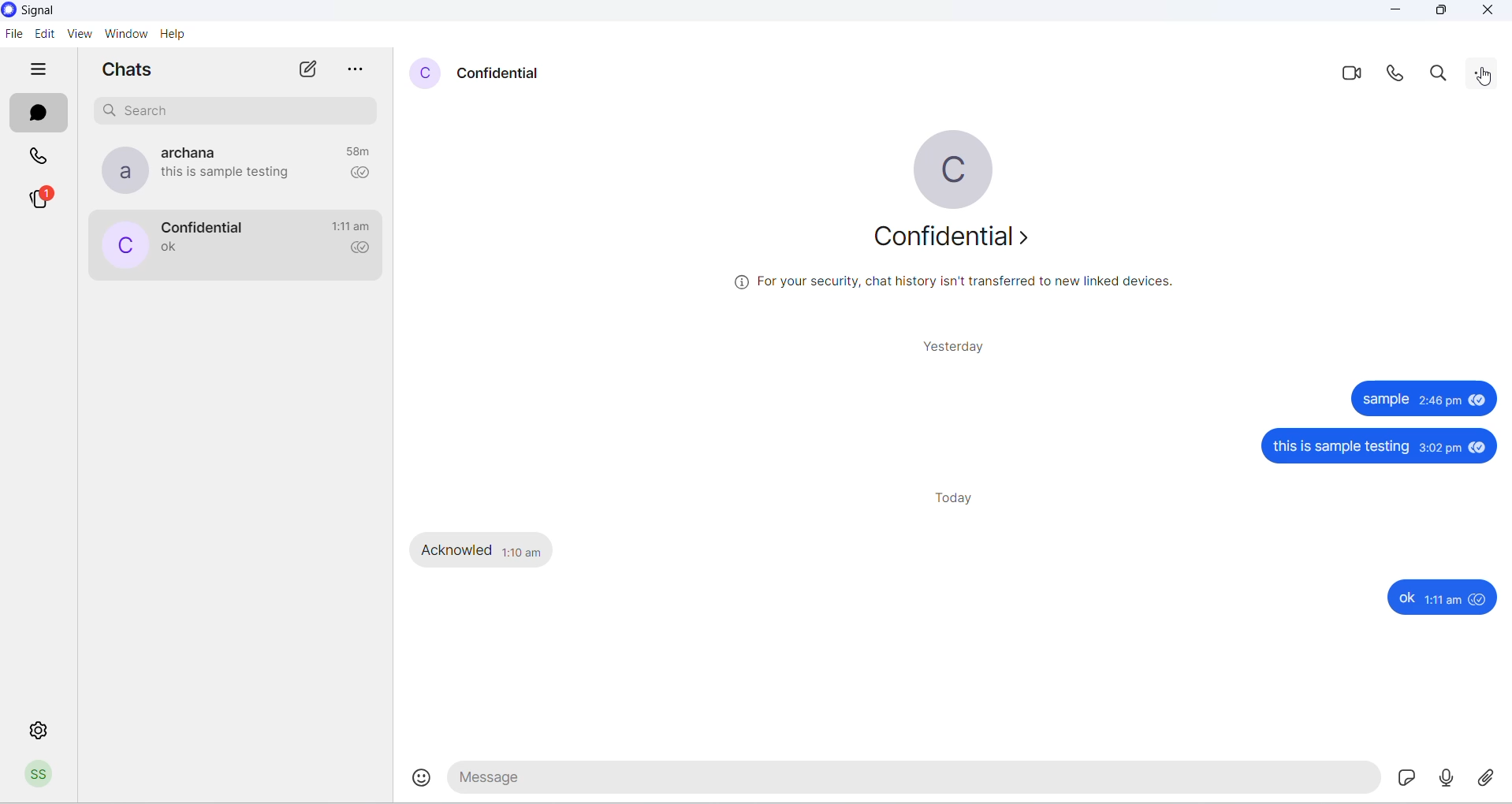 The image size is (1512, 804). Describe the element at coordinates (505, 75) in the screenshot. I see `contact name` at that location.